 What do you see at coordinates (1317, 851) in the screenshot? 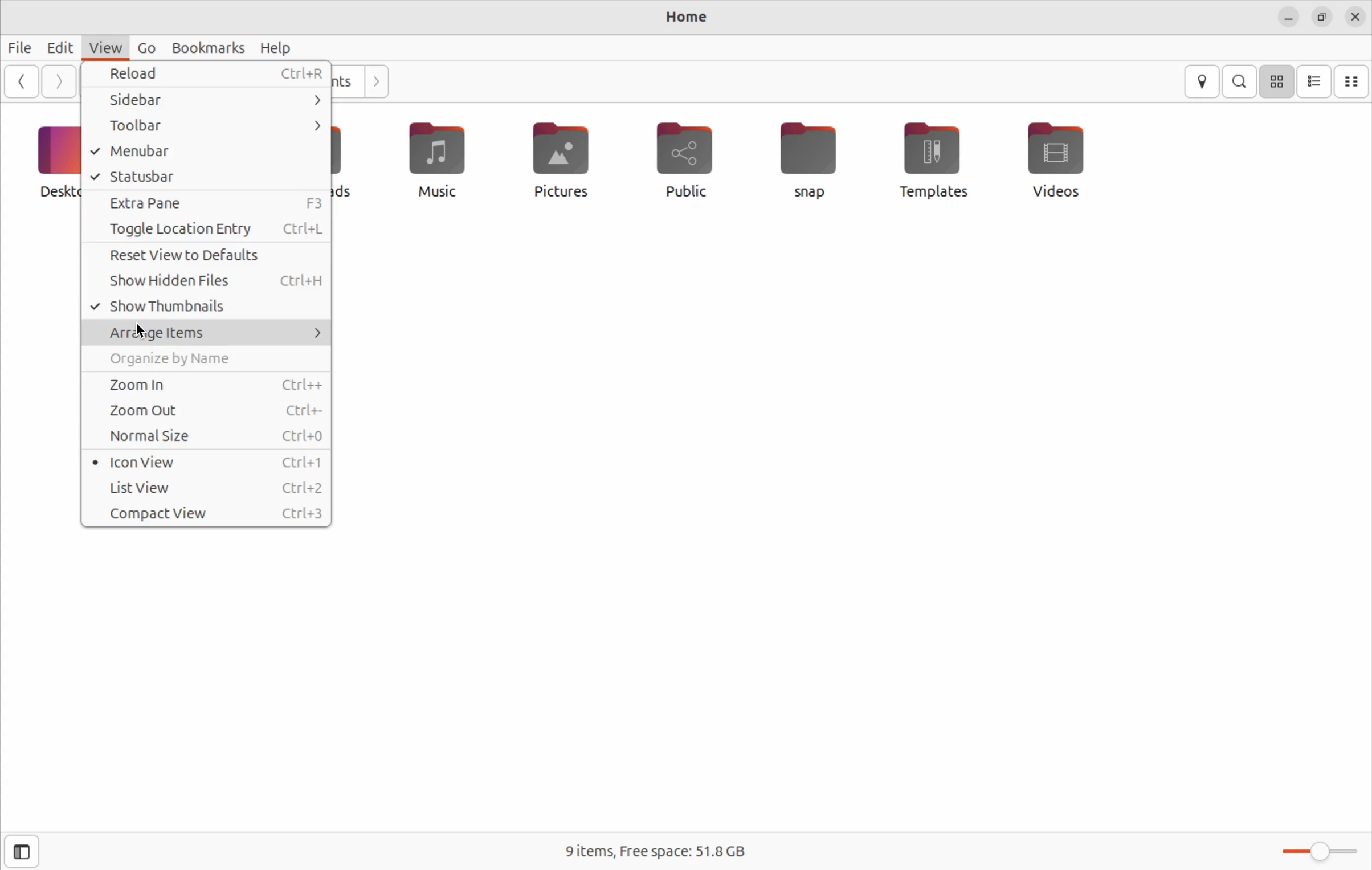
I see `toggle bar` at bounding box center [1317, 851].